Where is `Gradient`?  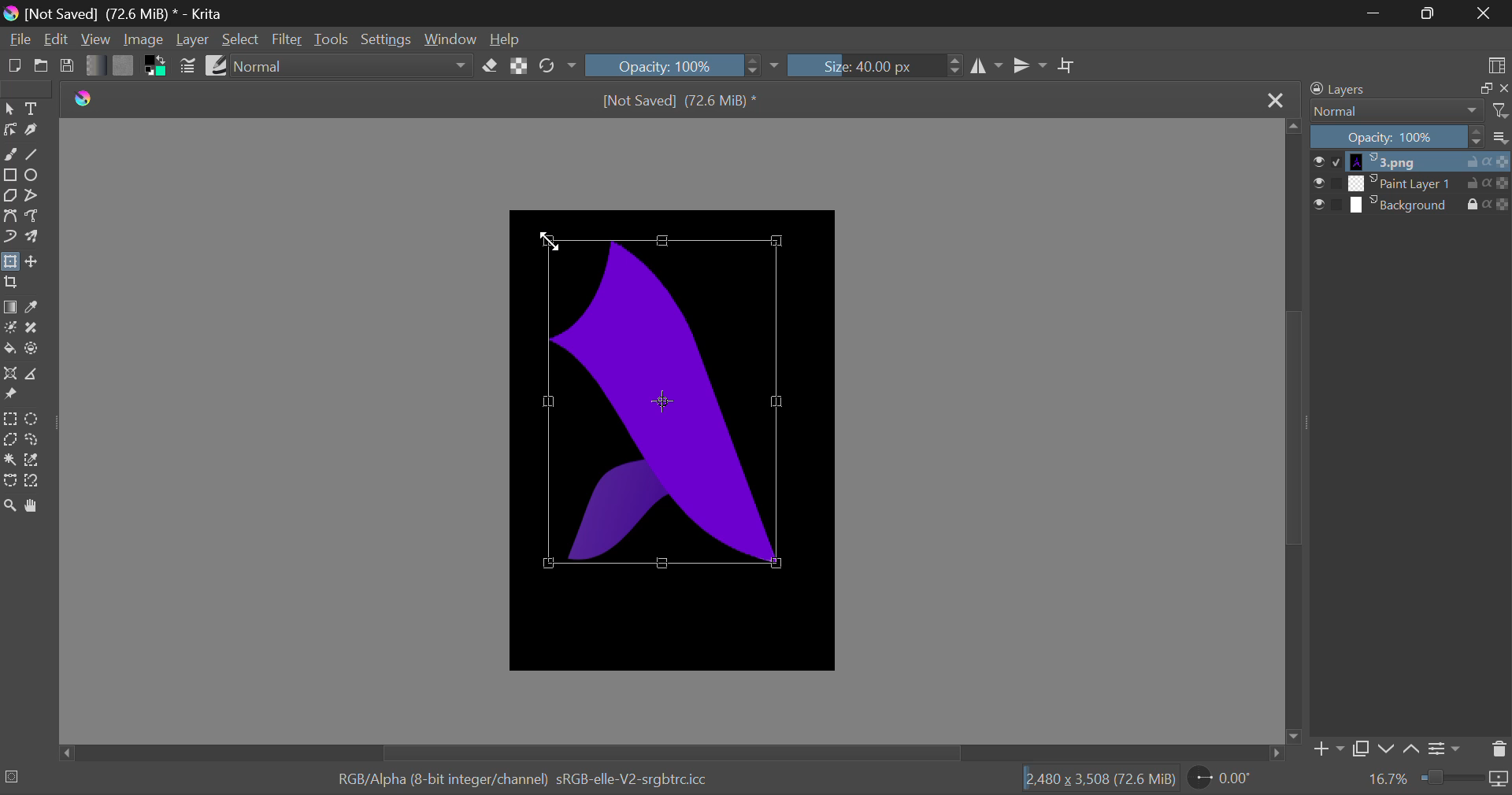 Gradient is located at coordinates (94, 66).